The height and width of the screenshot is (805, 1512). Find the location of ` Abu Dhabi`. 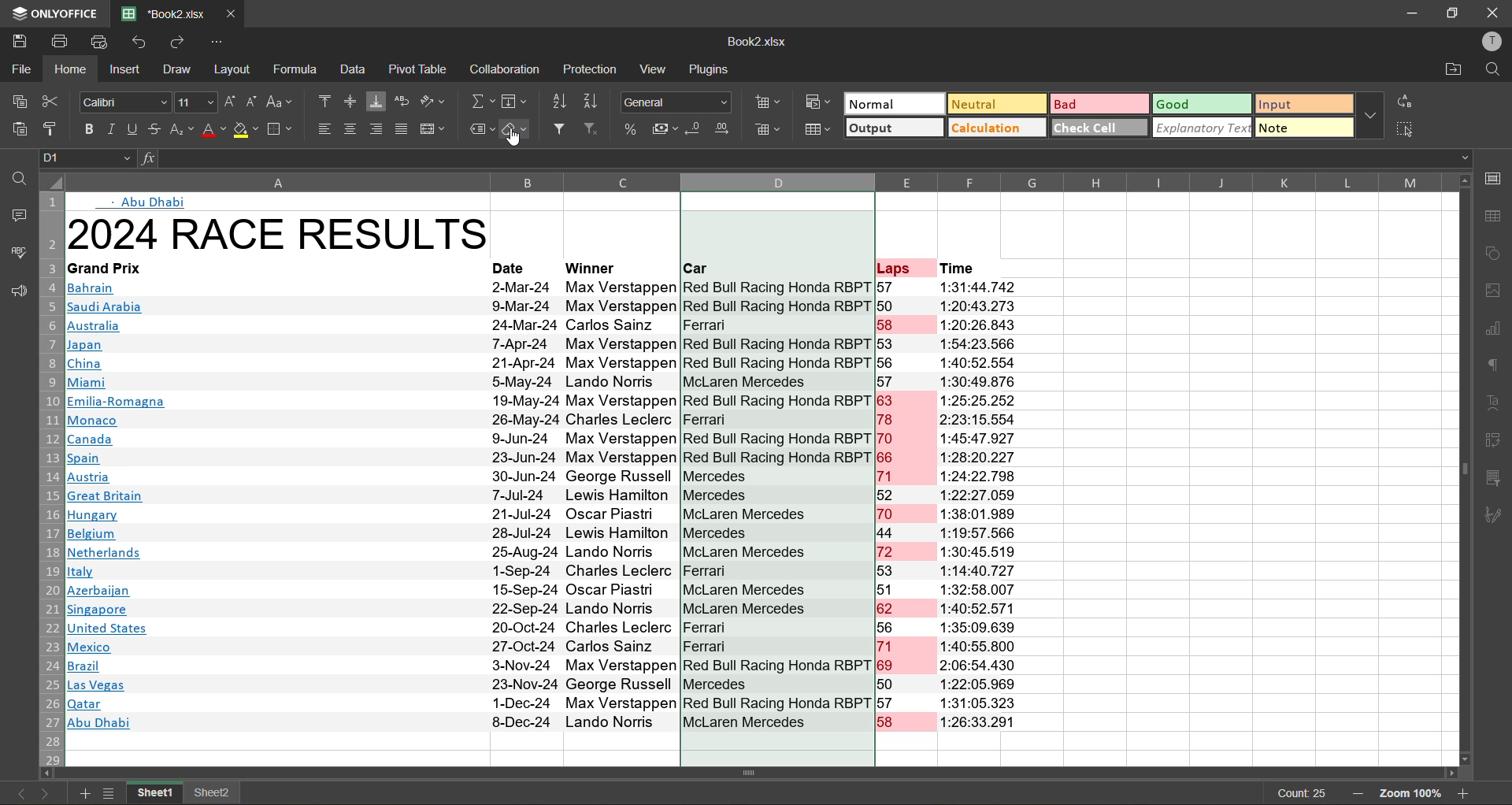

 Abu Dhabi is located at coordinates (150, 203).